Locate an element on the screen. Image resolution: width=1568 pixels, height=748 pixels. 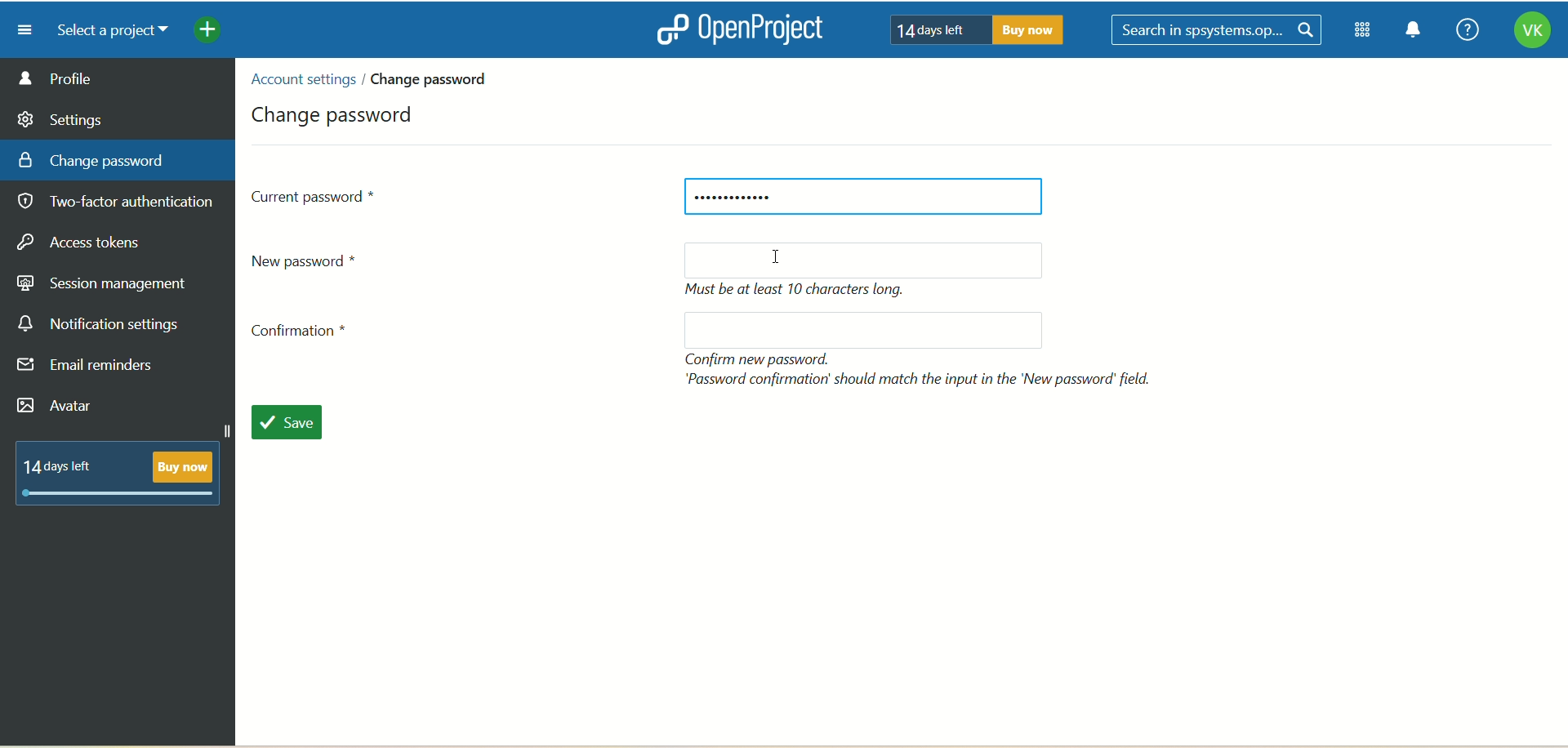
select a project is located at coordinates (106, 31).